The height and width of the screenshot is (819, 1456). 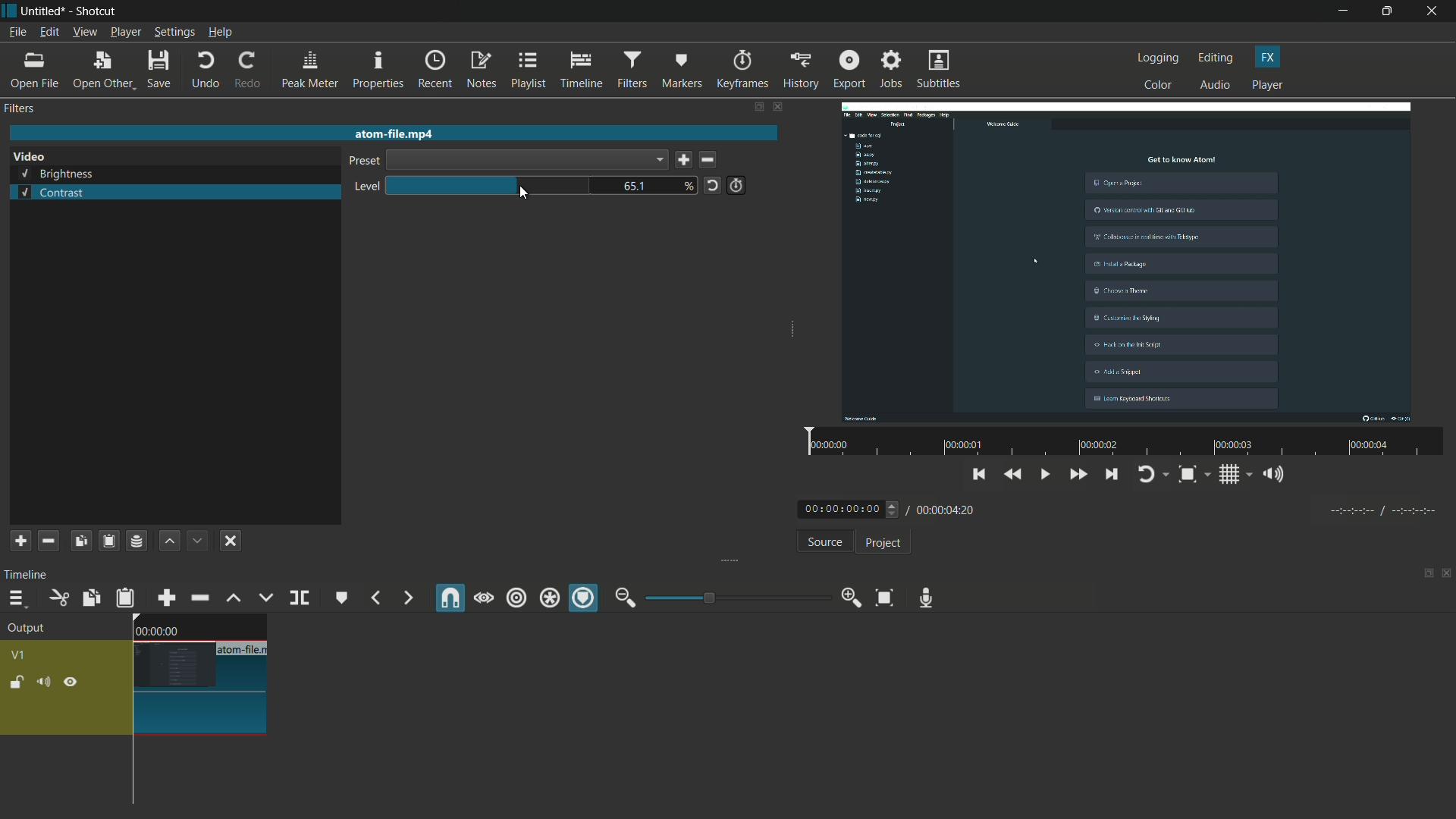 What do you see at coordinates (850, 508) in the screenshot?
I see `00:00:00:00 (current time)` at bounding box center [850, 508].